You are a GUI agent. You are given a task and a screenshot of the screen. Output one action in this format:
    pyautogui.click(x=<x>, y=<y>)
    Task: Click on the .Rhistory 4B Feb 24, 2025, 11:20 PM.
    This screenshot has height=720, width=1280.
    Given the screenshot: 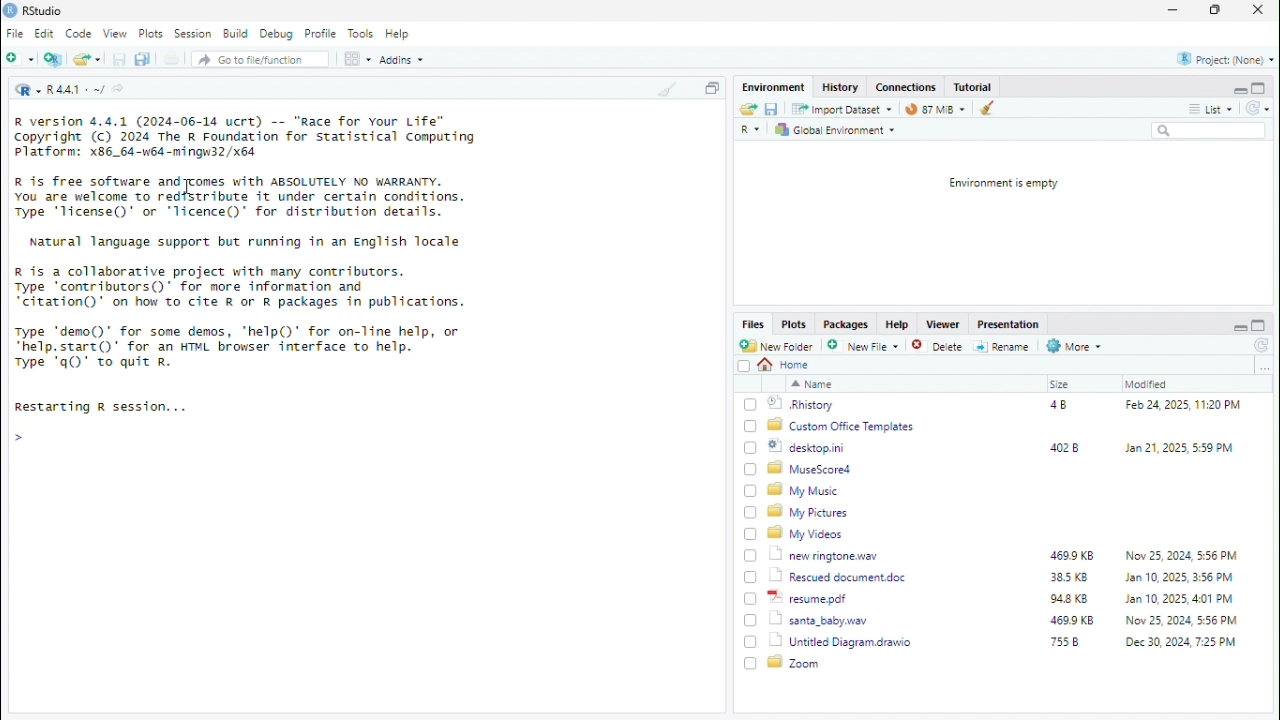 What is the action you would take?
    pyautogui.click(x=1006, y=405)
    